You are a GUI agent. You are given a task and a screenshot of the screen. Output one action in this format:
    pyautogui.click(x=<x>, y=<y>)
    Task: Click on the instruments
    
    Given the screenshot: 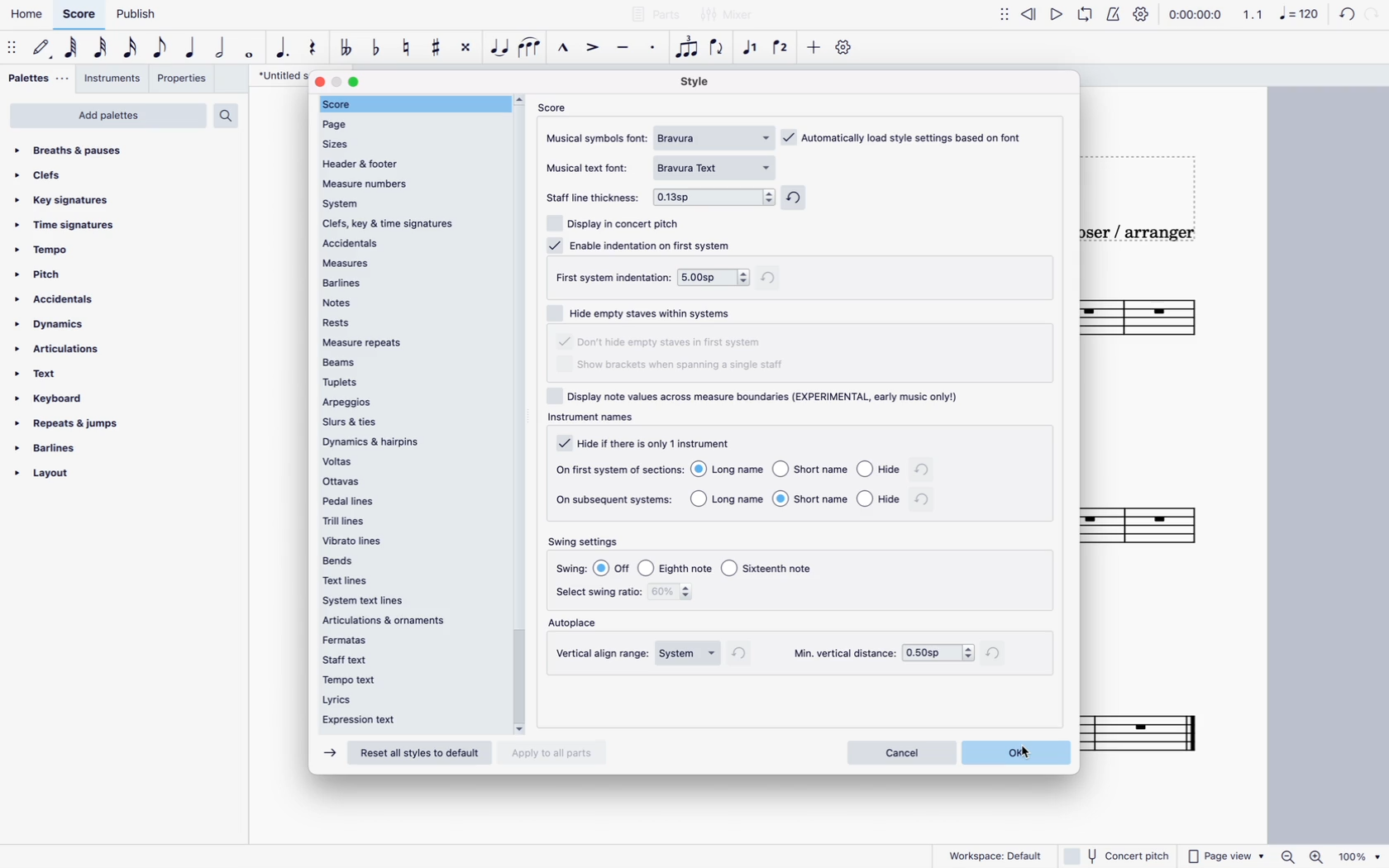 What is the action you would take?
    pyautogui.click(x=112, y=78)
    